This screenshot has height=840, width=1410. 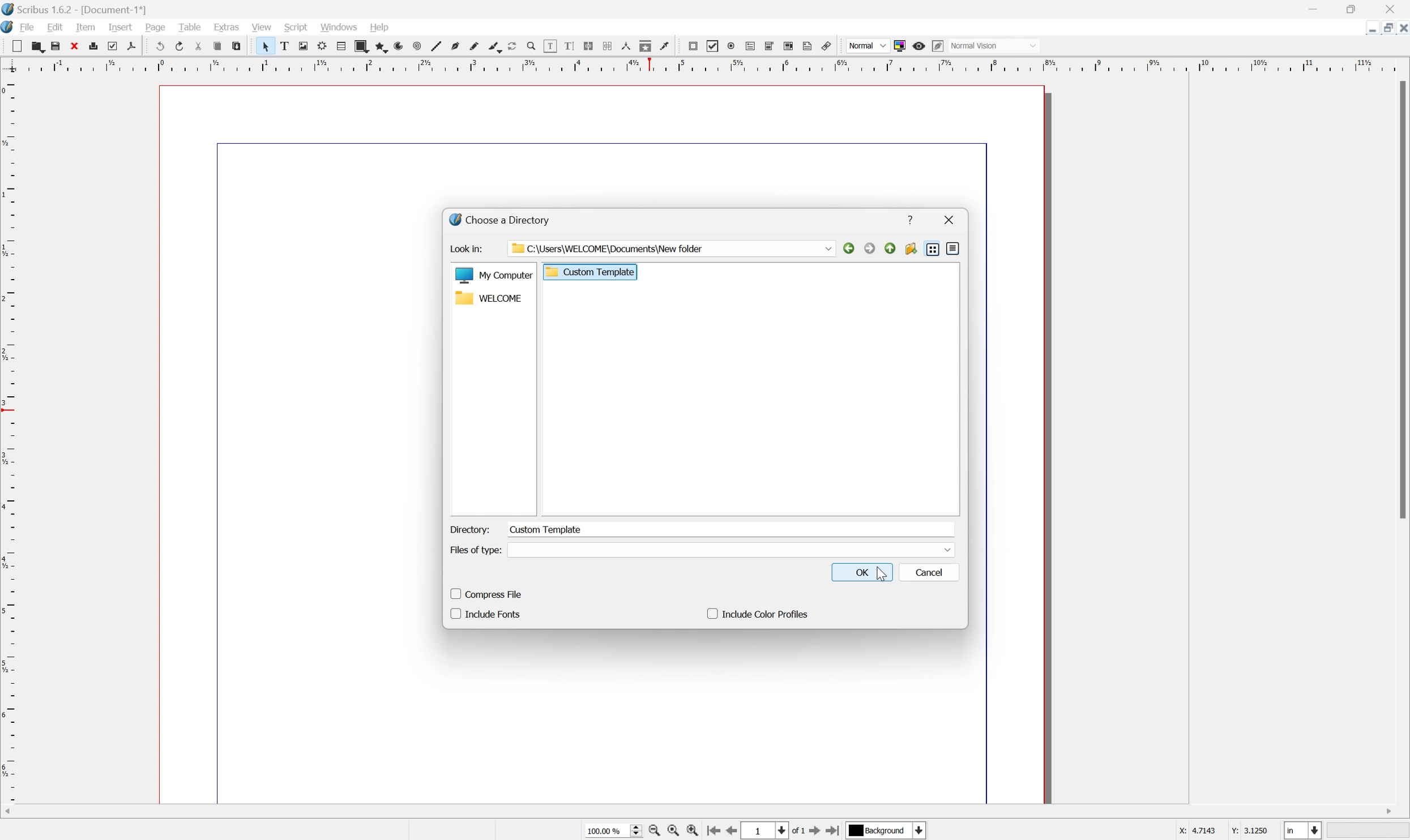 I want to click on calligraphic line, so click(x=498, y=47).